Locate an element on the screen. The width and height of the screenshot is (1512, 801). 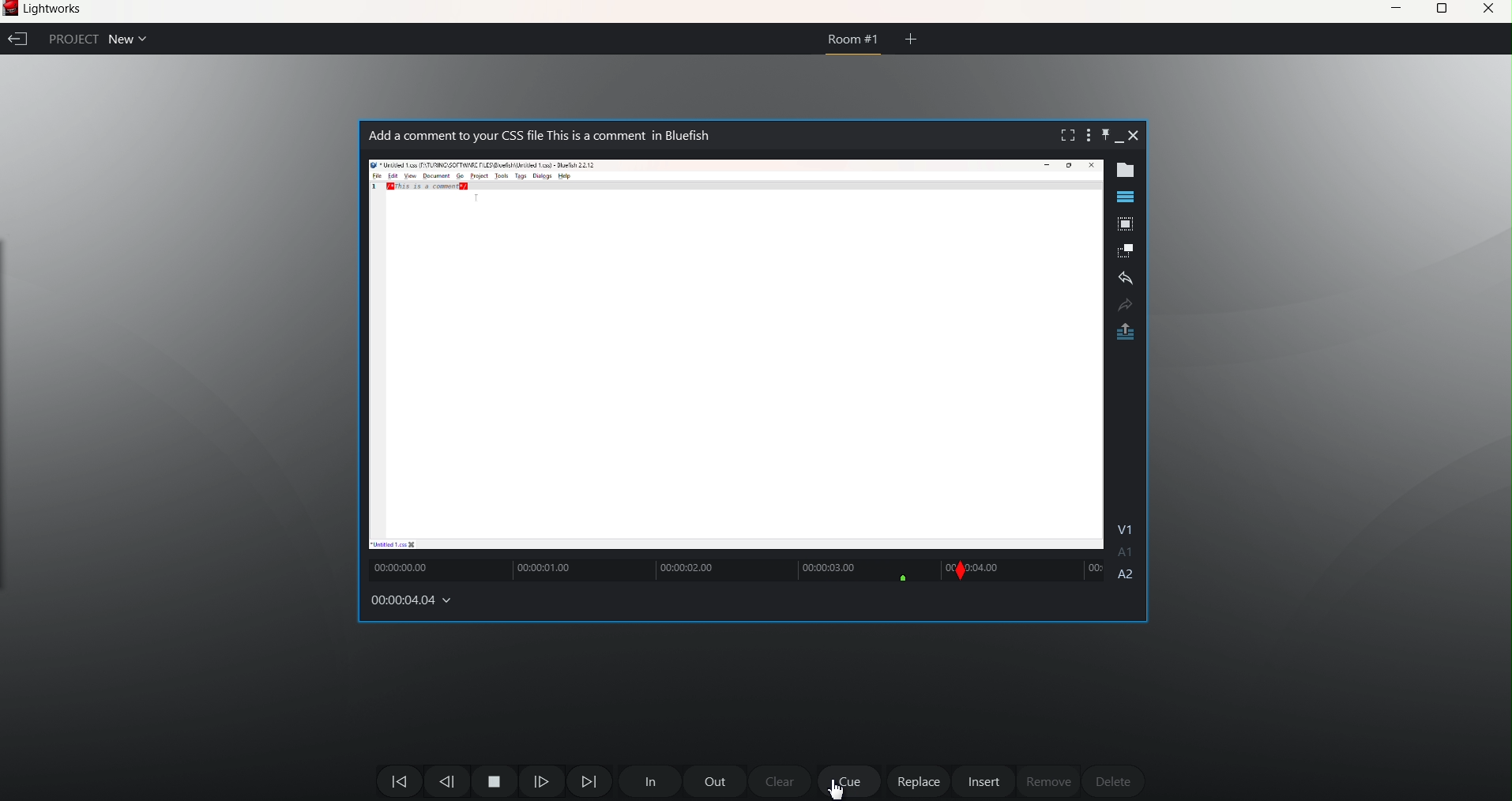
pin clip is located at coordinates (1104, 133).